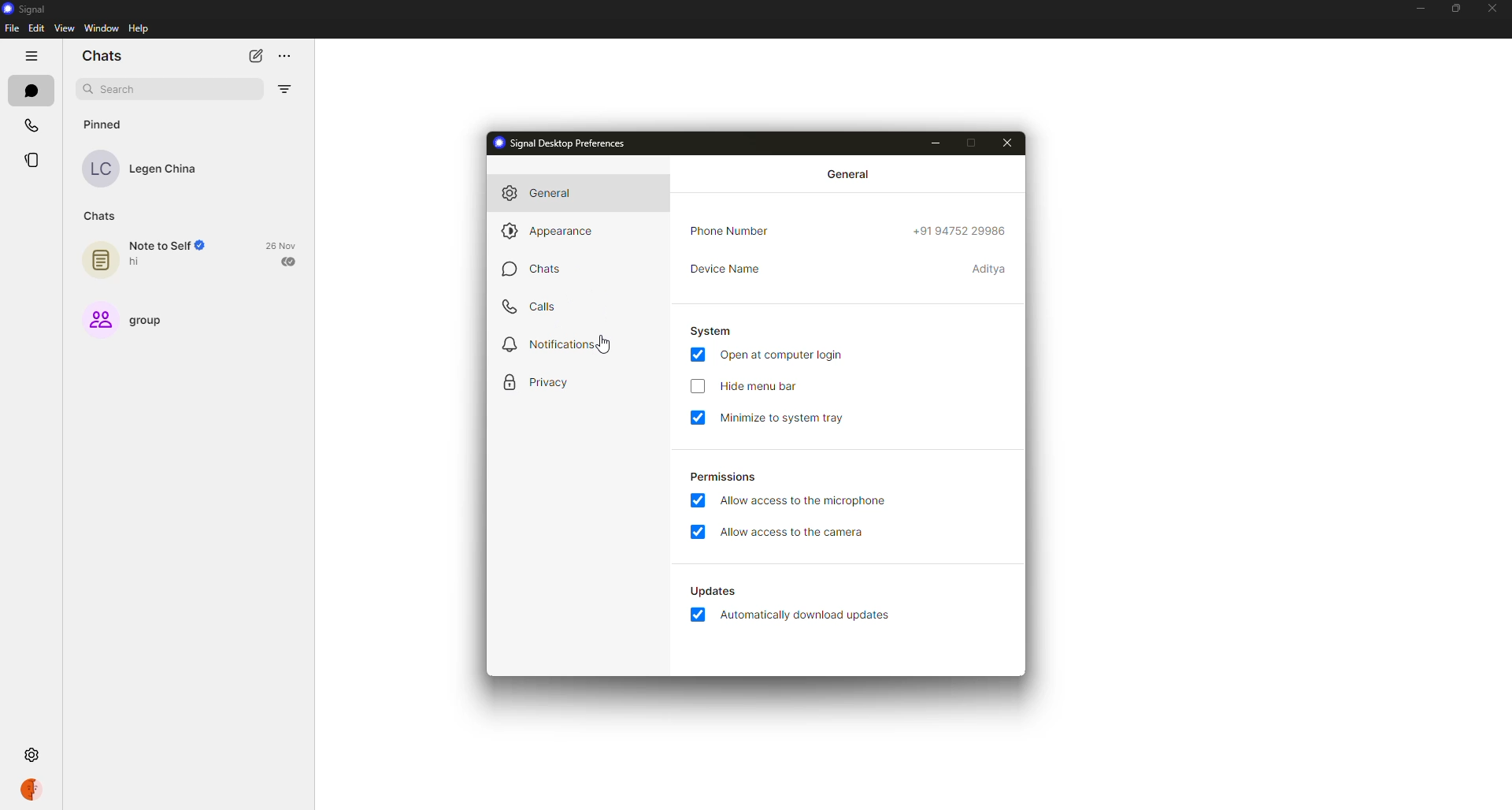  What do you see at coordinates (976, 139) in the screenshot?
I see `maximize` at bounding box center [976, 139].